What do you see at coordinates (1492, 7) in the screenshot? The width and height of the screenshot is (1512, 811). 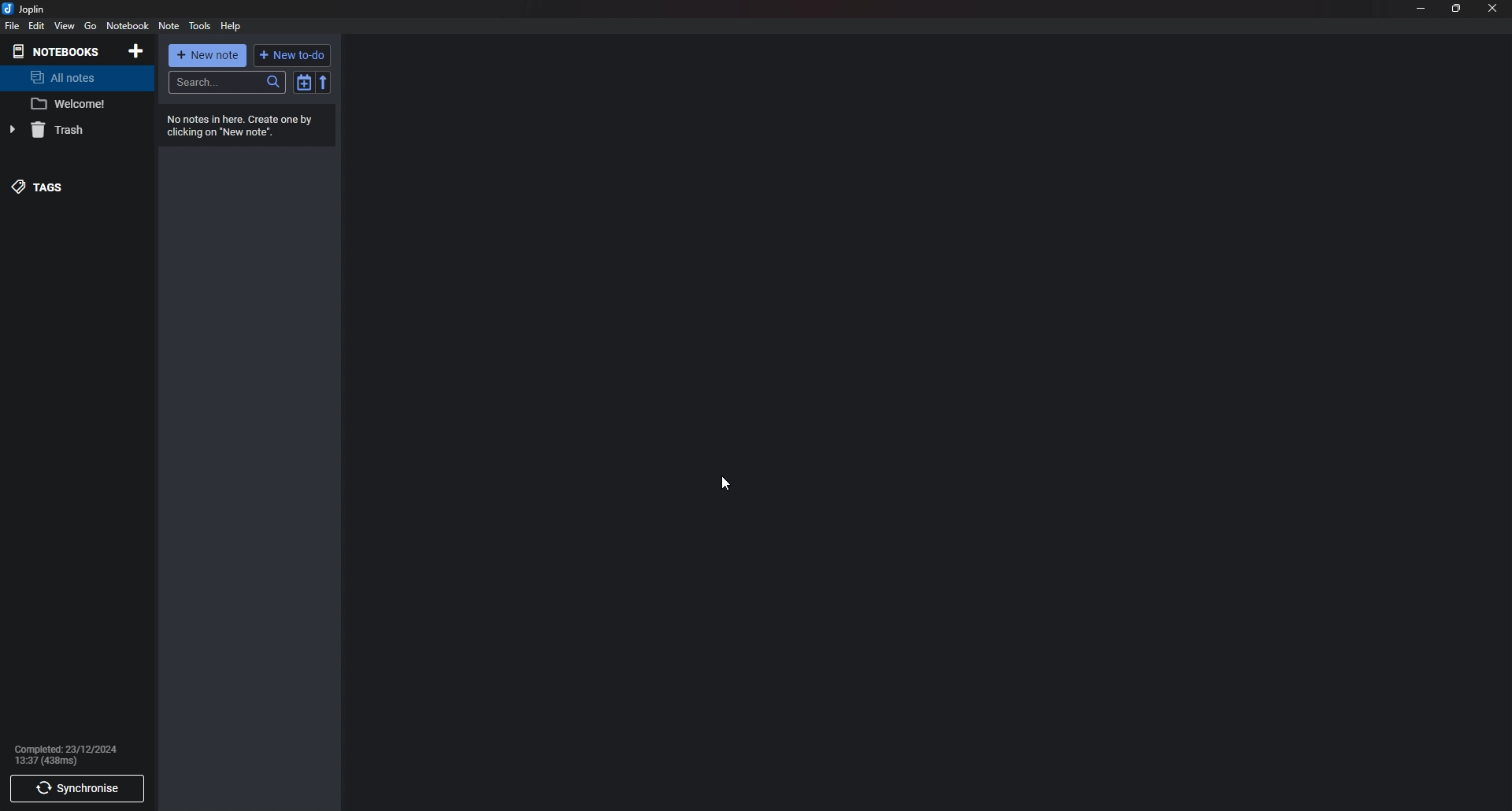 I see `close` at bounding box center [1492, 7].